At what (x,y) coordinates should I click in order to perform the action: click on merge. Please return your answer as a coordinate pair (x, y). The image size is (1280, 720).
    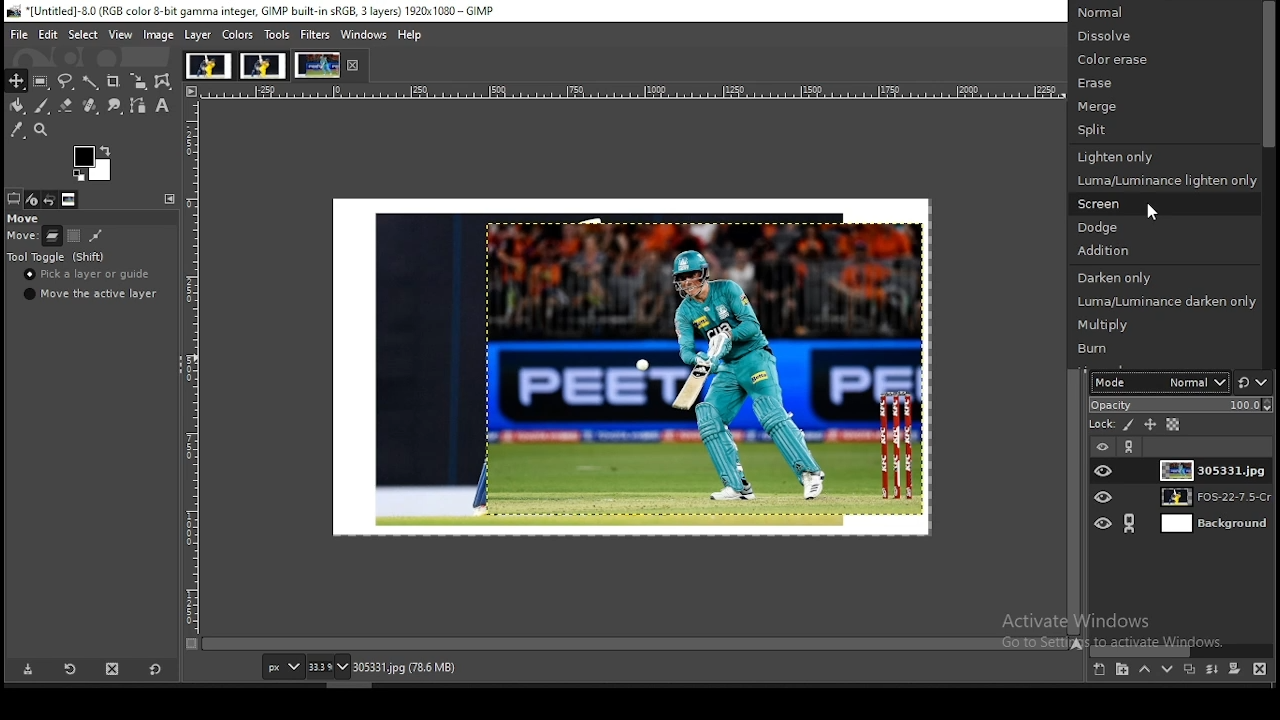
    Looking at the image, I should click on (1162, 106).